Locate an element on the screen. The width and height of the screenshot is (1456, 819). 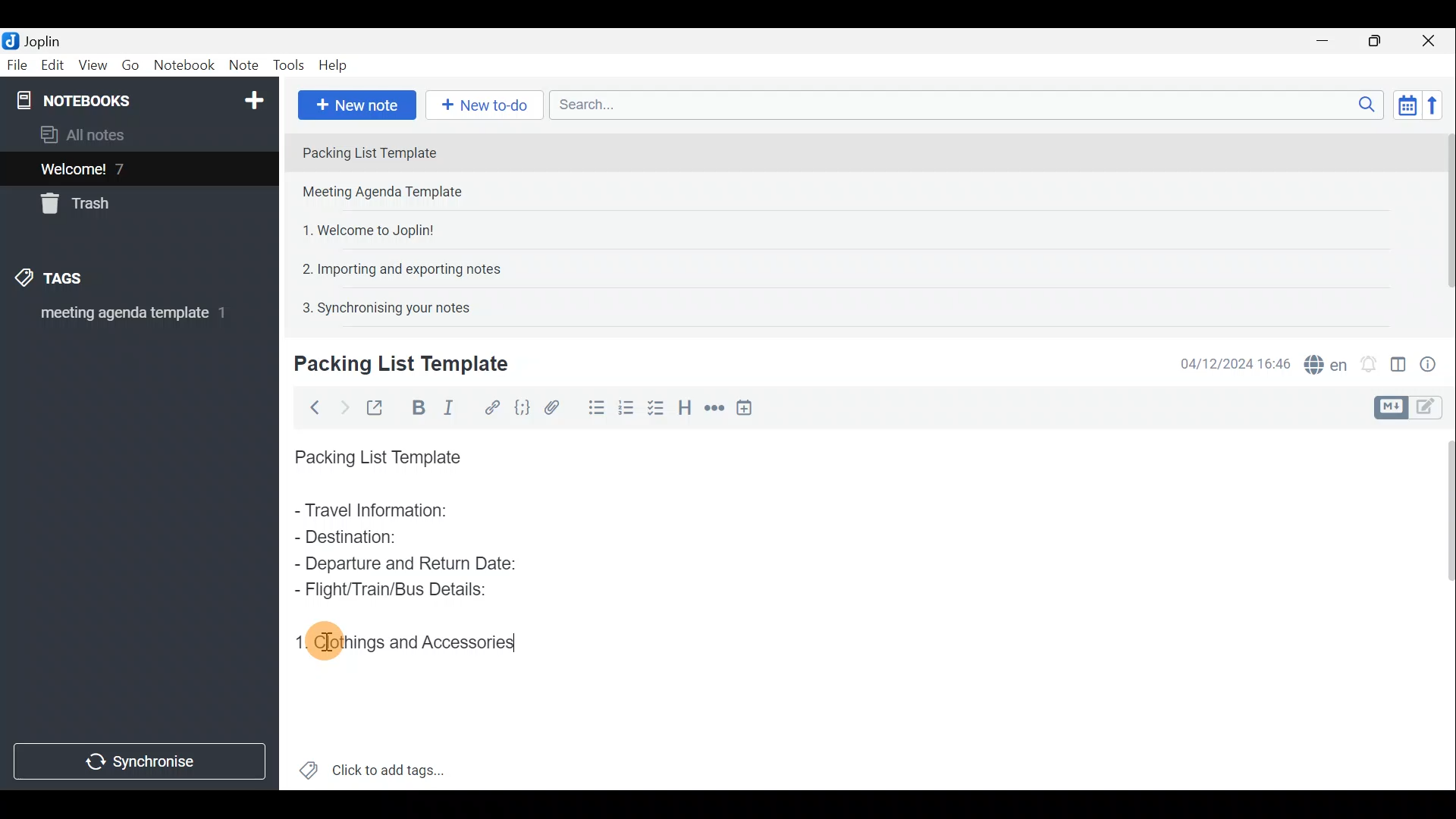
Destination: is located at coordinates (385, 538).